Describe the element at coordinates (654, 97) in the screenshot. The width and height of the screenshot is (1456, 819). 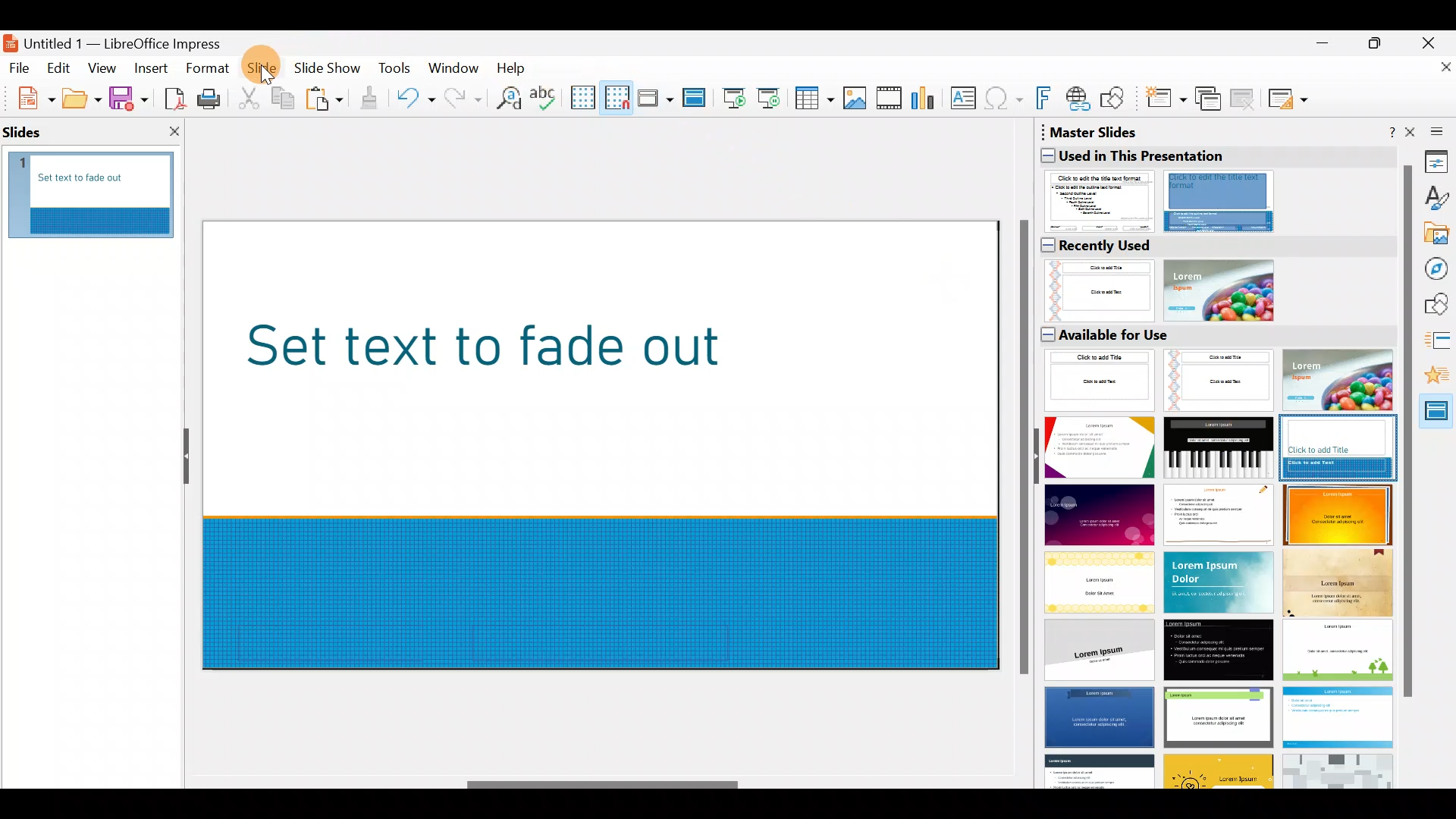
I see `Display views` at that location.